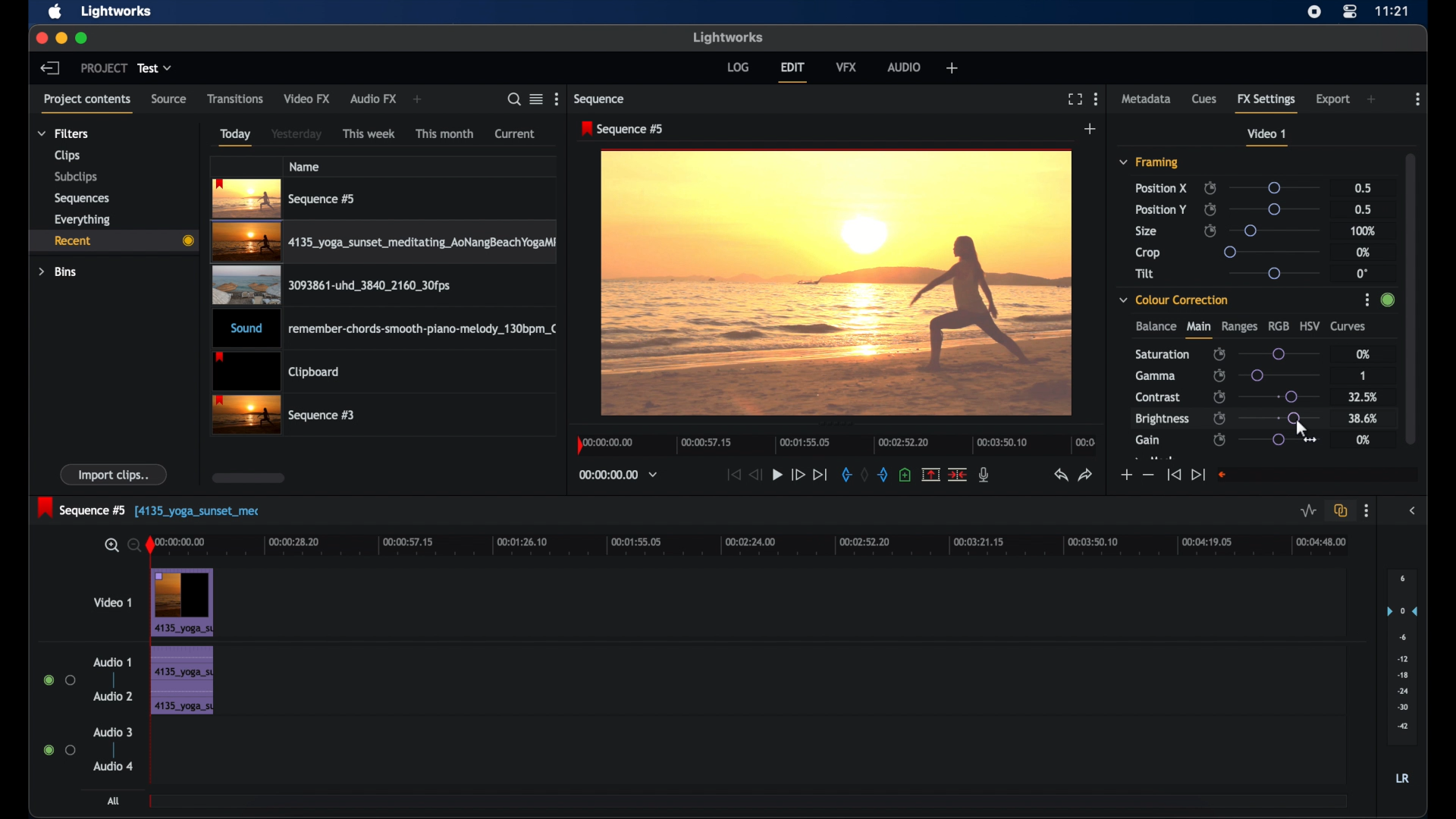 This screenshot has width=1456, height=819. What do you see at coordinates (151, 546) in the screenshot?
I see `playhead` at bounding box center [151, 546].